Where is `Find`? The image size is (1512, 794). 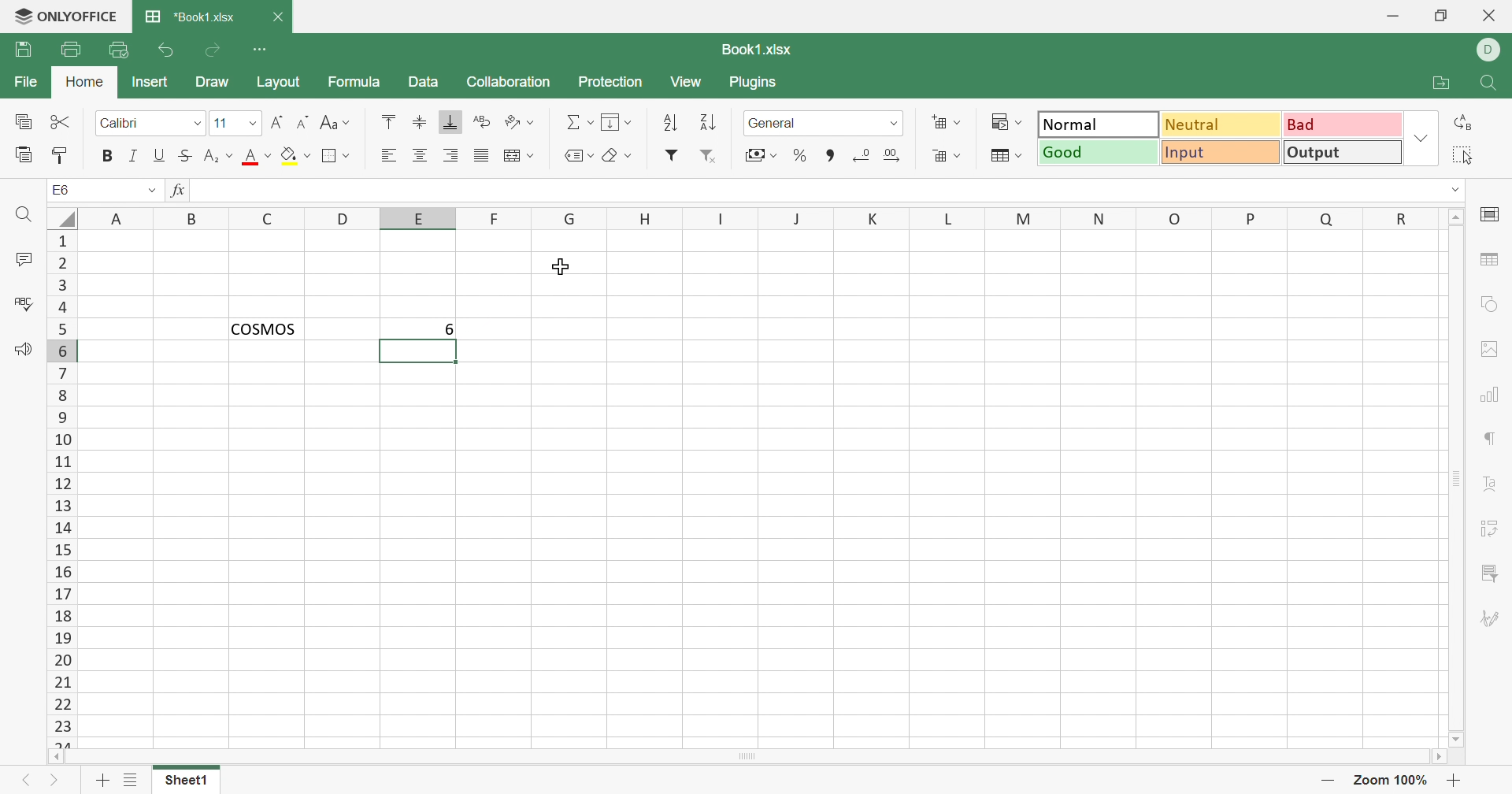 Find is located at coordinates (1489, 84).